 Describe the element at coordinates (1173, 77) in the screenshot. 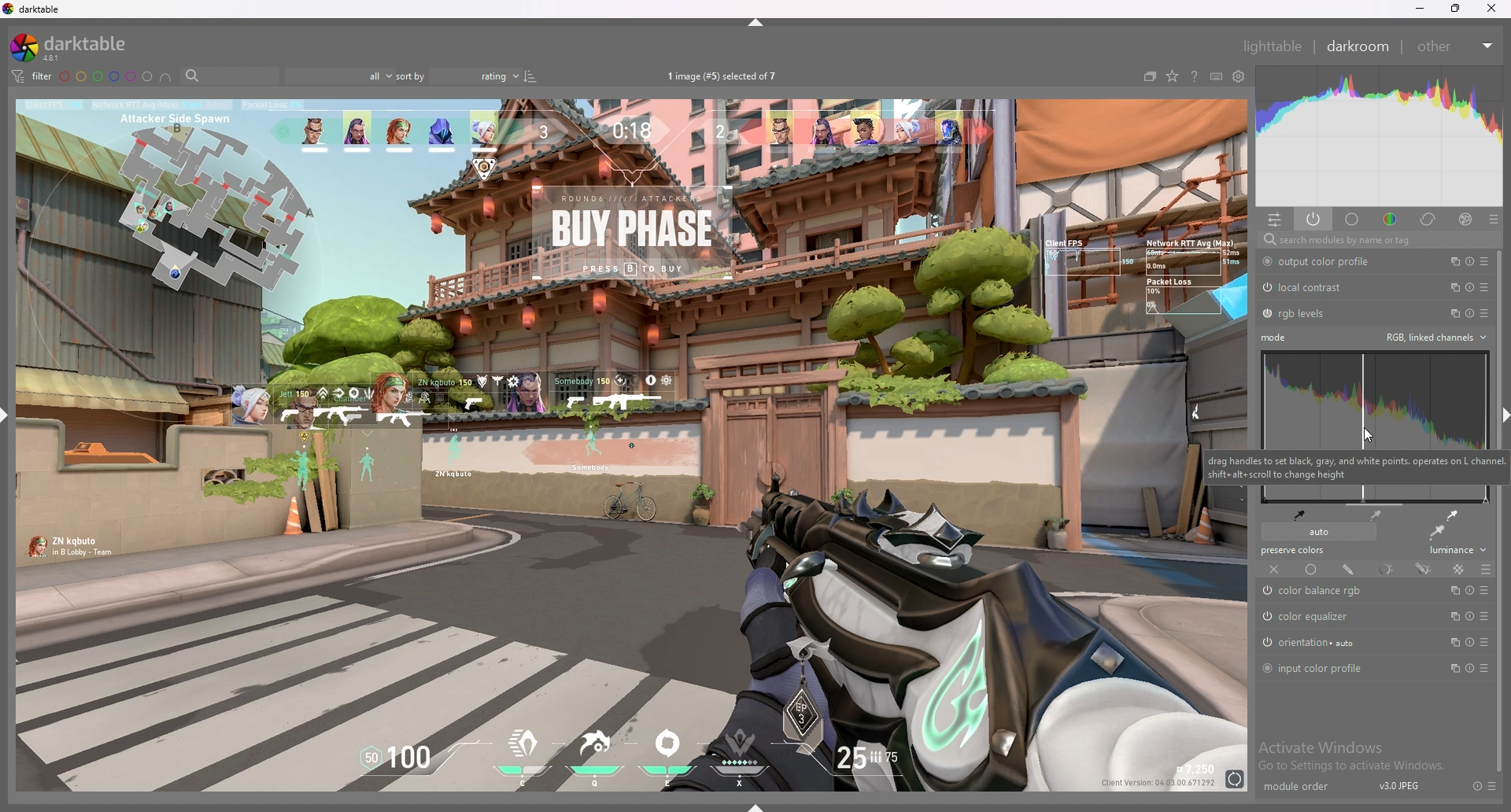

I see `change type of overlays` at that location.